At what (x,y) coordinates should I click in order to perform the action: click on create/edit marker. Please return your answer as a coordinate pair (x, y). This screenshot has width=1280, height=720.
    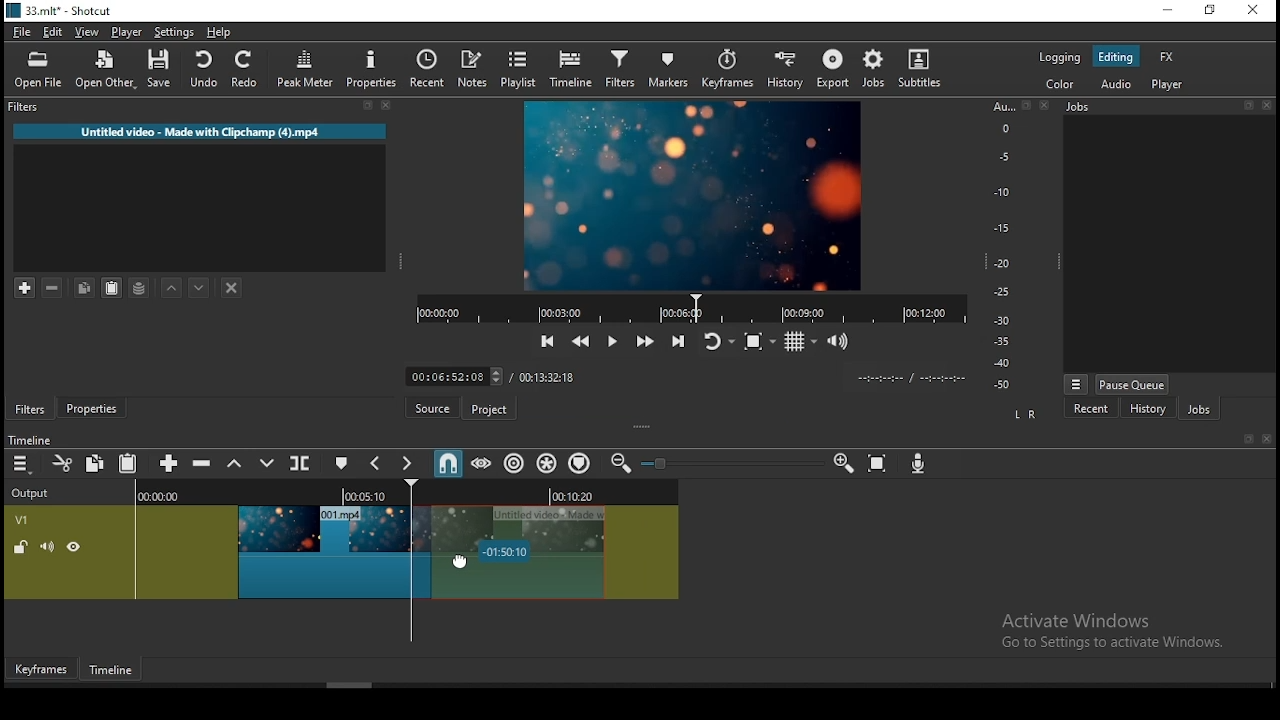
    Looking at the image, I should click on (343, 465).